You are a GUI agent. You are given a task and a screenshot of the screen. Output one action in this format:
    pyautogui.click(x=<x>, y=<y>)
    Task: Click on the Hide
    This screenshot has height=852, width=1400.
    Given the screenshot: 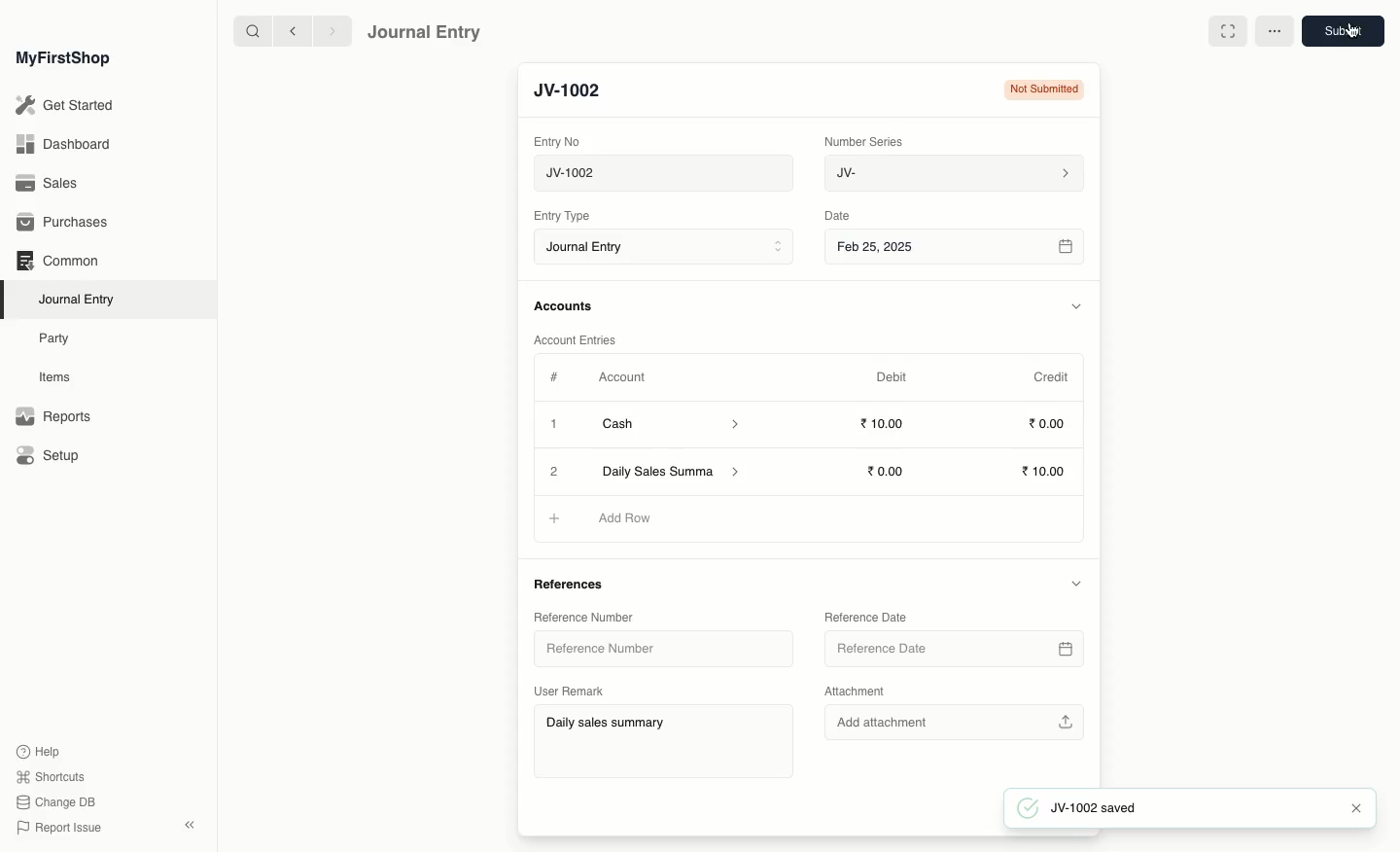 What is the action you would take?
    pyautogui.click(x=1077, y=306)
    